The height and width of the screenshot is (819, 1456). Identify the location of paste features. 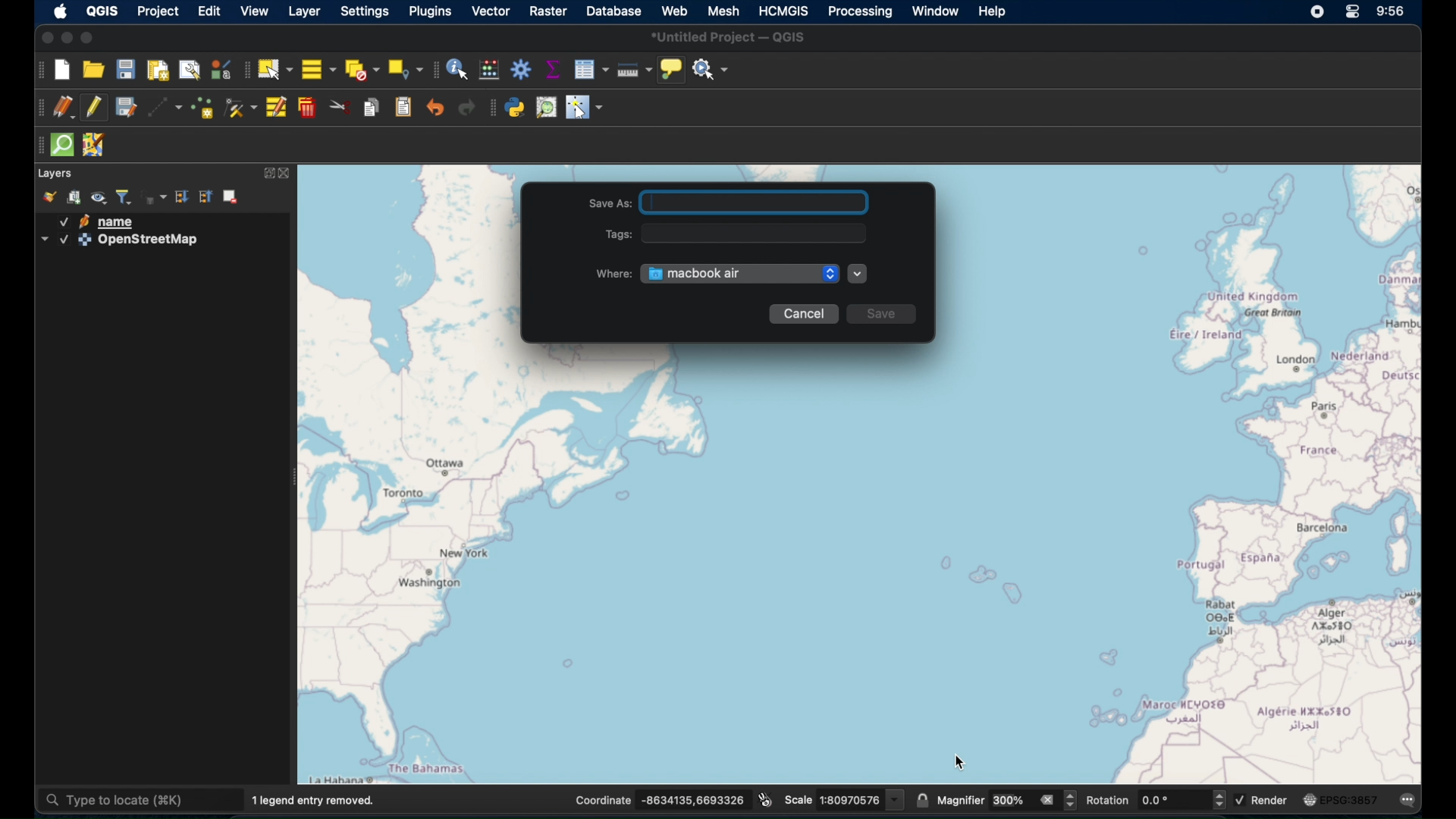
(404, 108).